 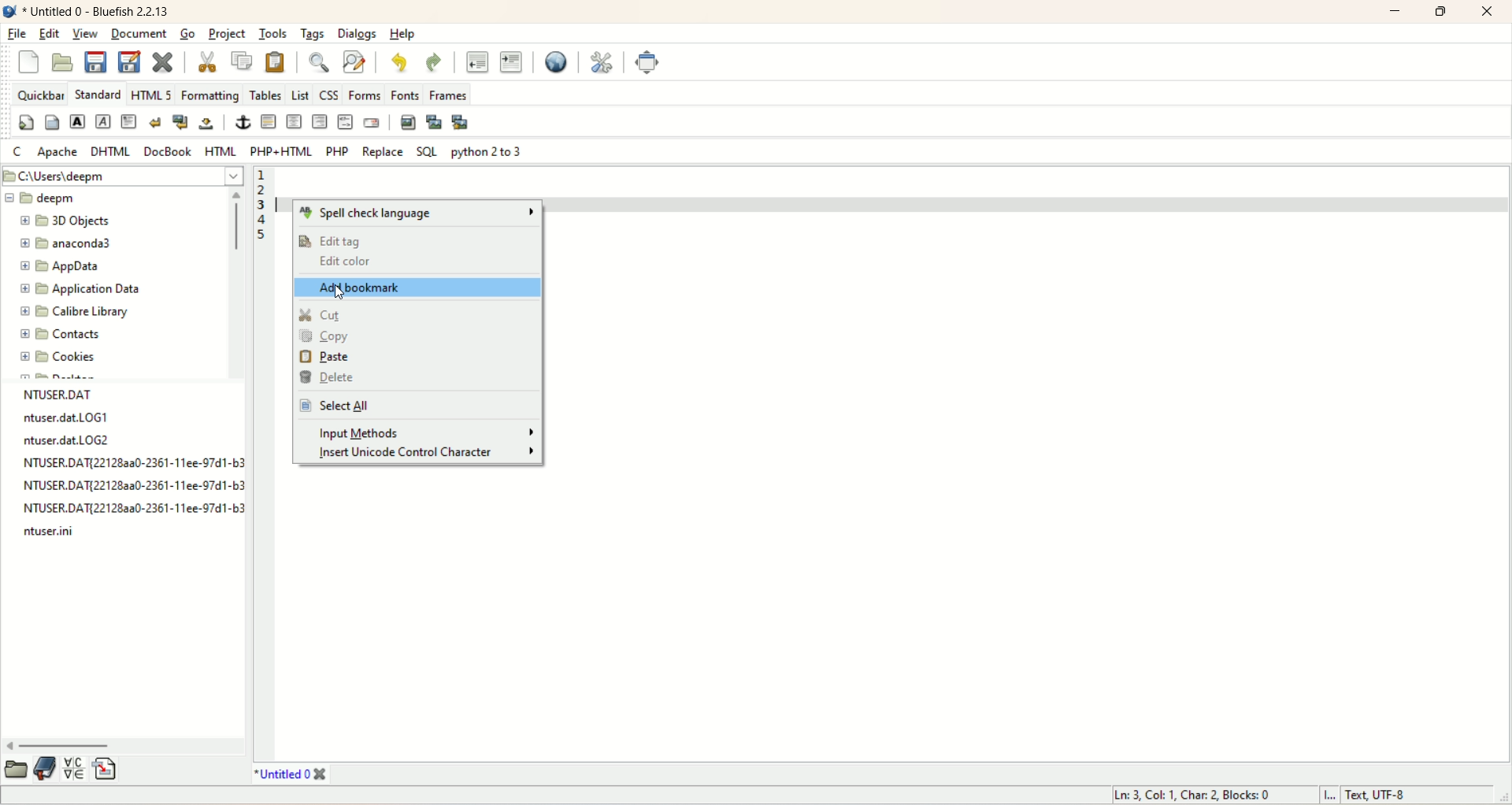 I want to click on insert thumbnail, so click(x=435, y=121).